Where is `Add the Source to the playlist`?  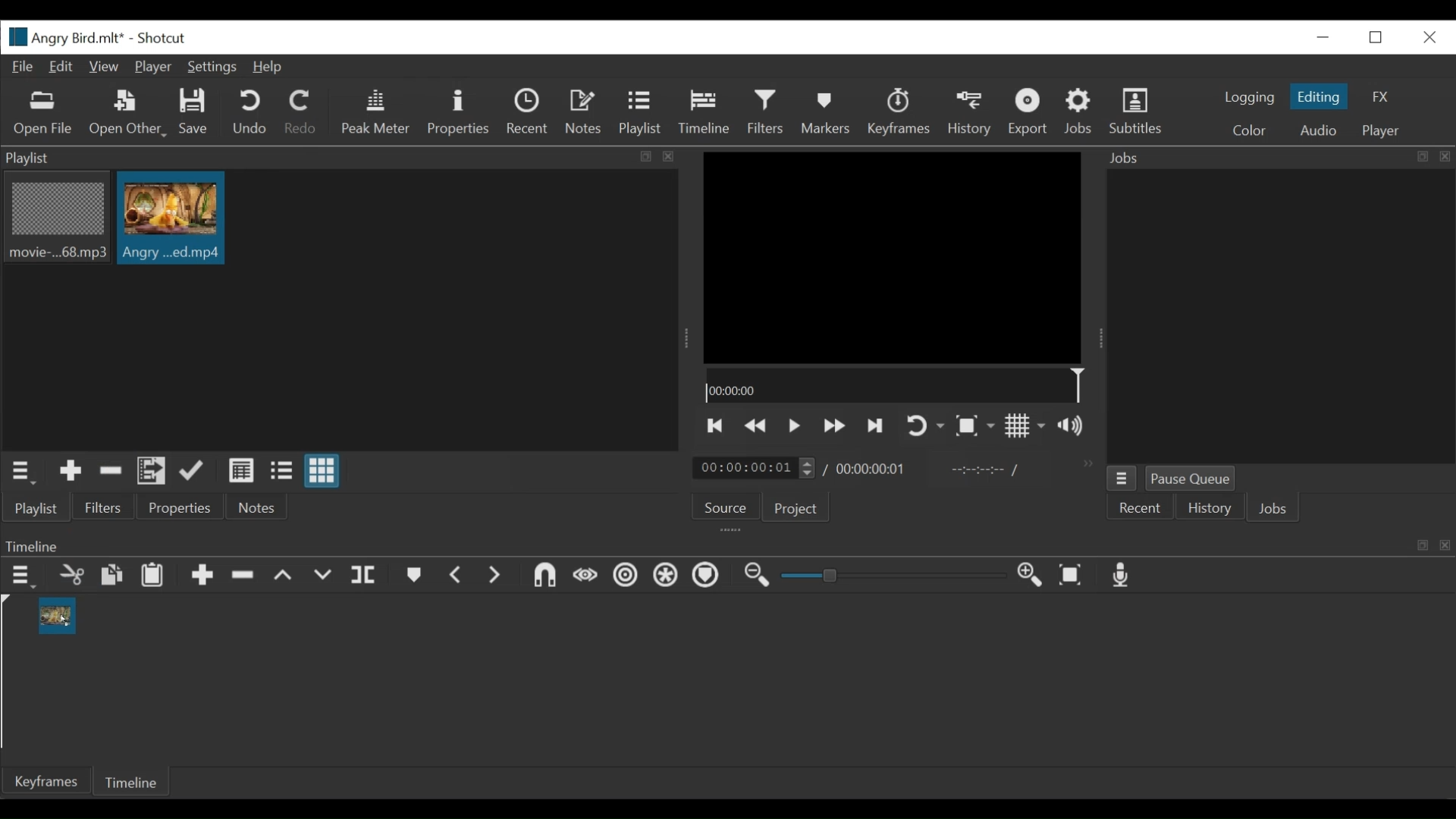
Add the Source to the playlist is located at coordinates (71, 473).